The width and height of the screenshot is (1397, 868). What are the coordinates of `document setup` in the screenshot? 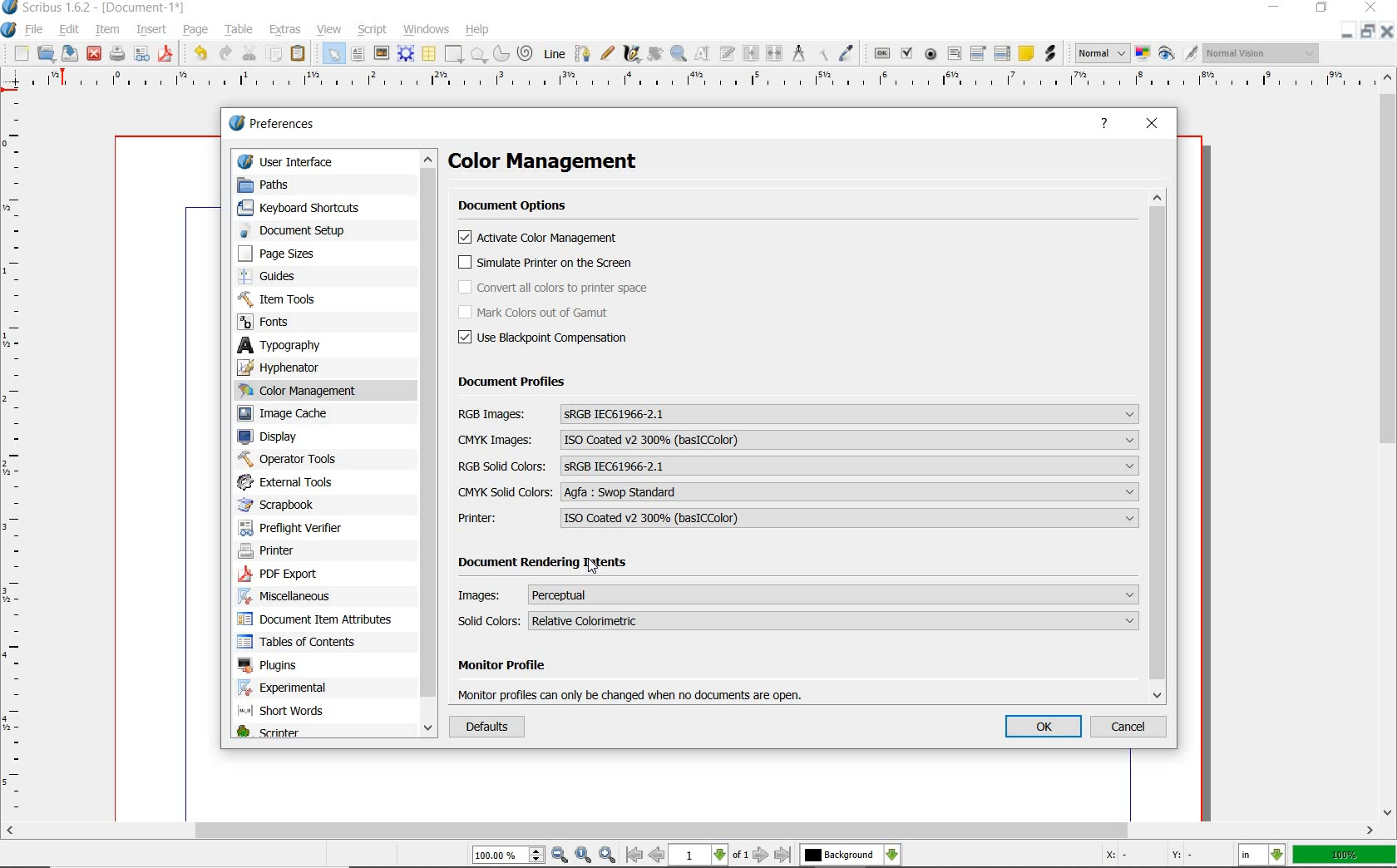 It's located at (293, 231).